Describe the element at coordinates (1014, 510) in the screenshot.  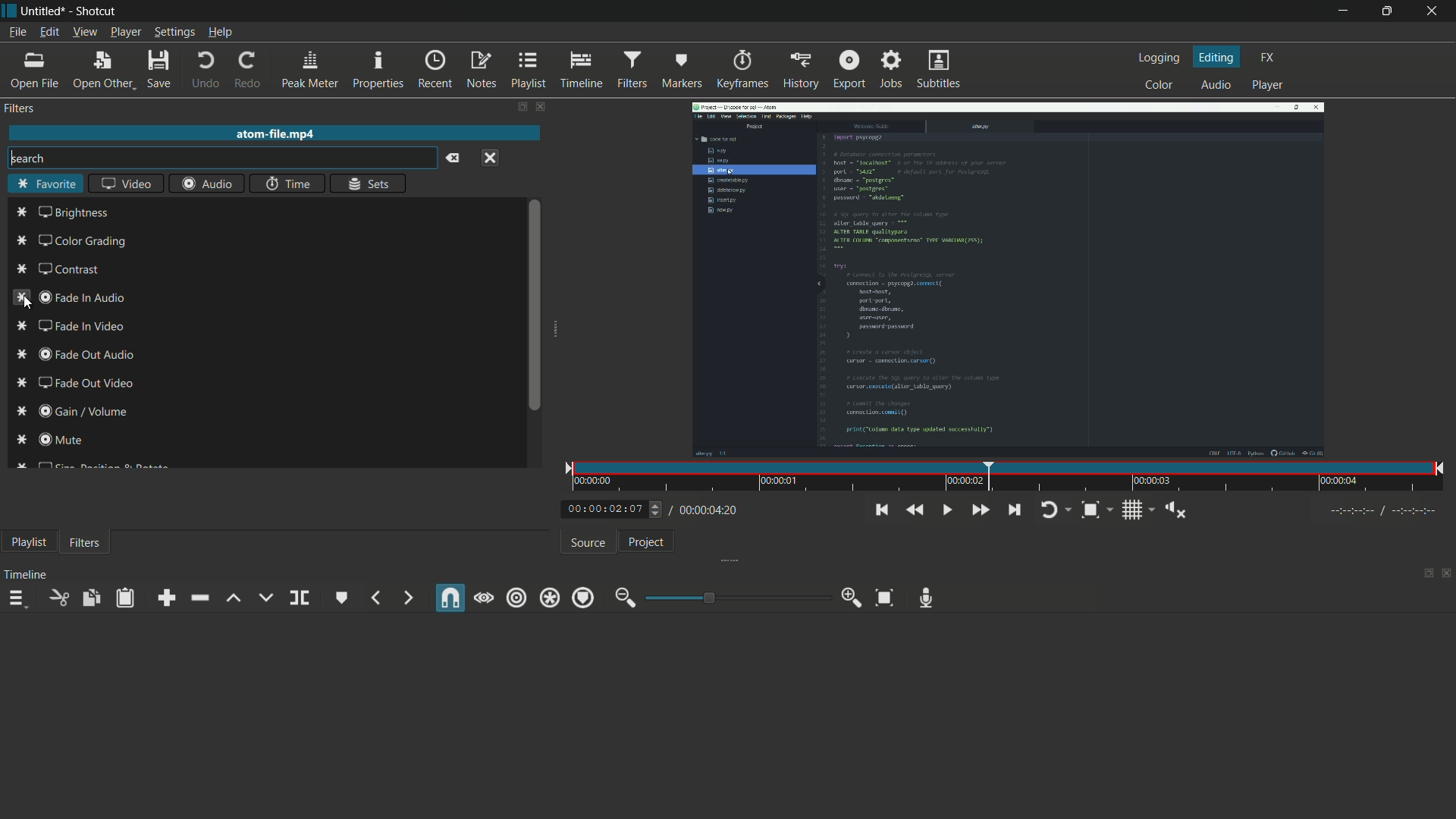
I see `skip to the next point` at that location.